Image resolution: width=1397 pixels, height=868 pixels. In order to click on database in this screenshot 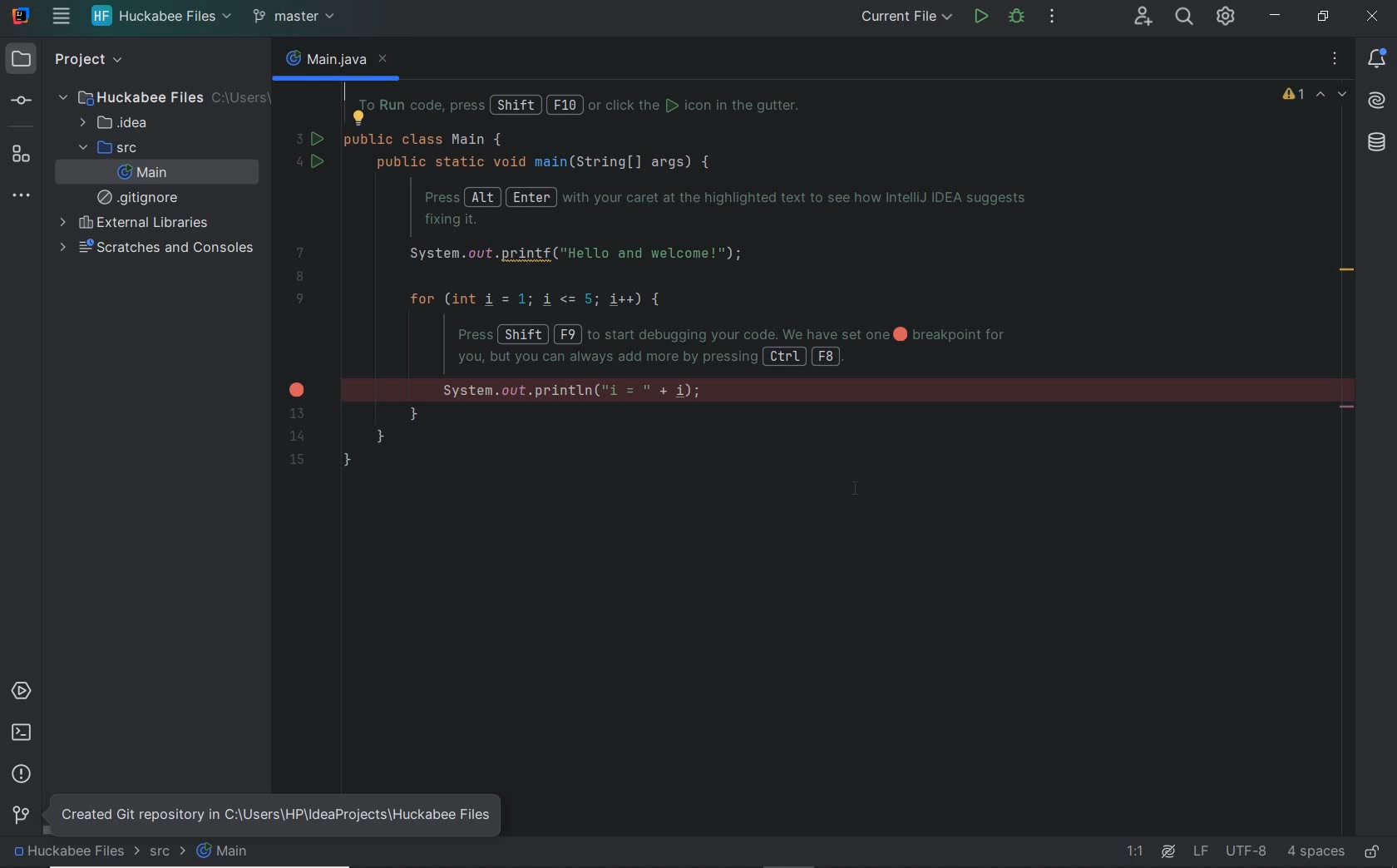, I will do `click(1376, 144)`.